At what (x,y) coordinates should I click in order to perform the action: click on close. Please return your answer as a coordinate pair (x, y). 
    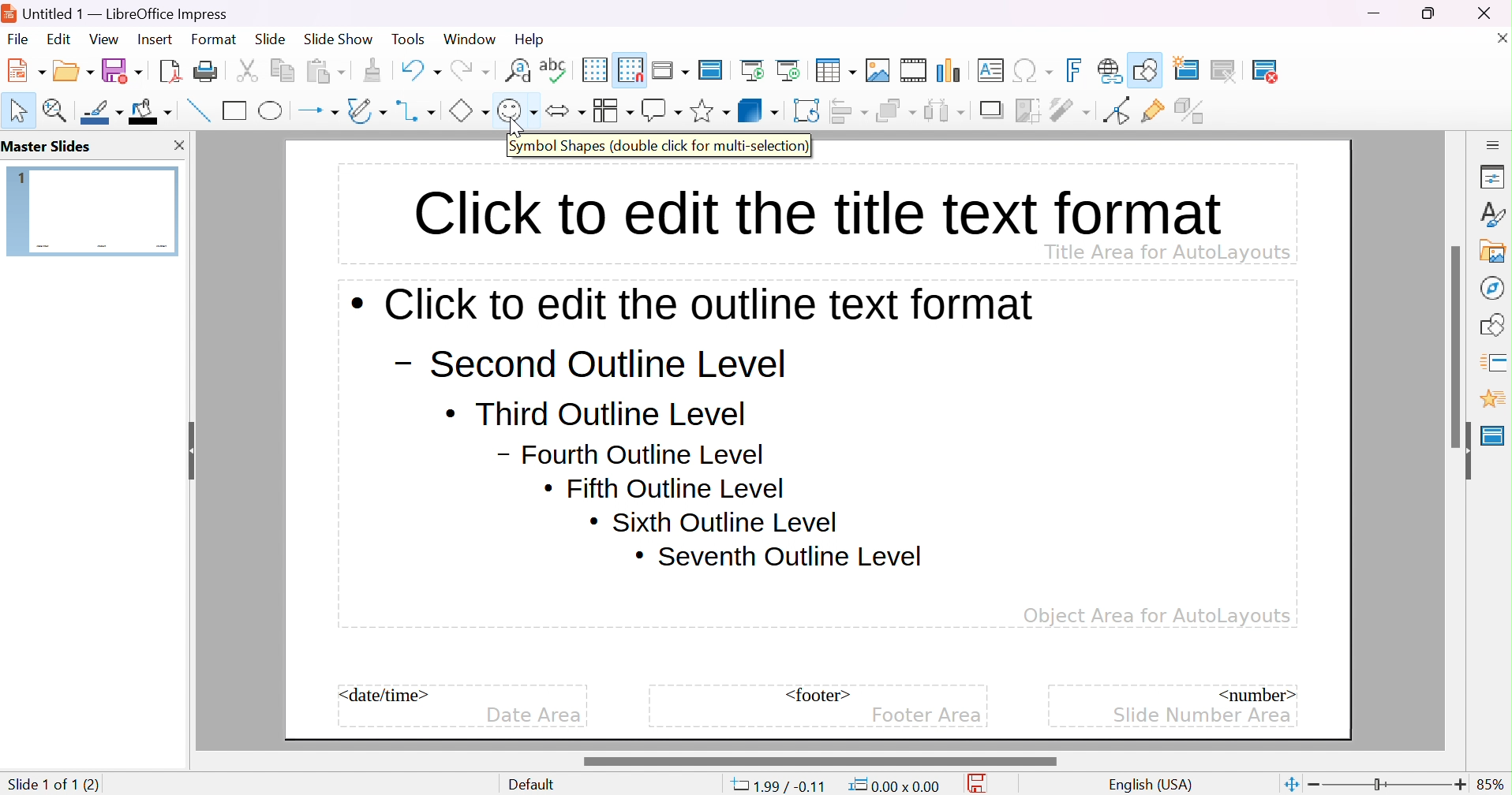
    Looking at the image, I should click on (1499, 37).